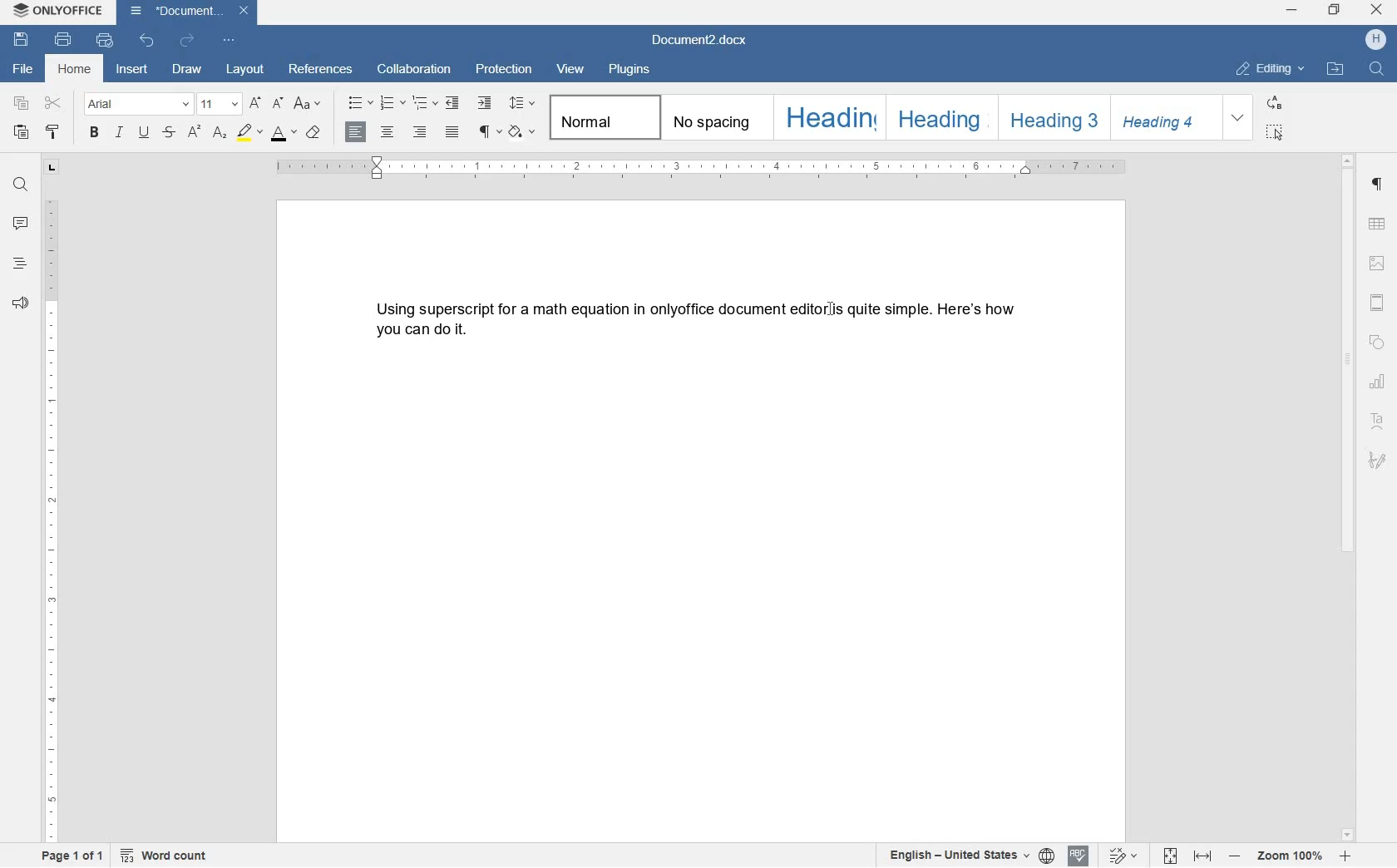 Image resolution: width=1397 pixels, height=868 pixels. I want to click on page 1 of 1, so click(74, 858).